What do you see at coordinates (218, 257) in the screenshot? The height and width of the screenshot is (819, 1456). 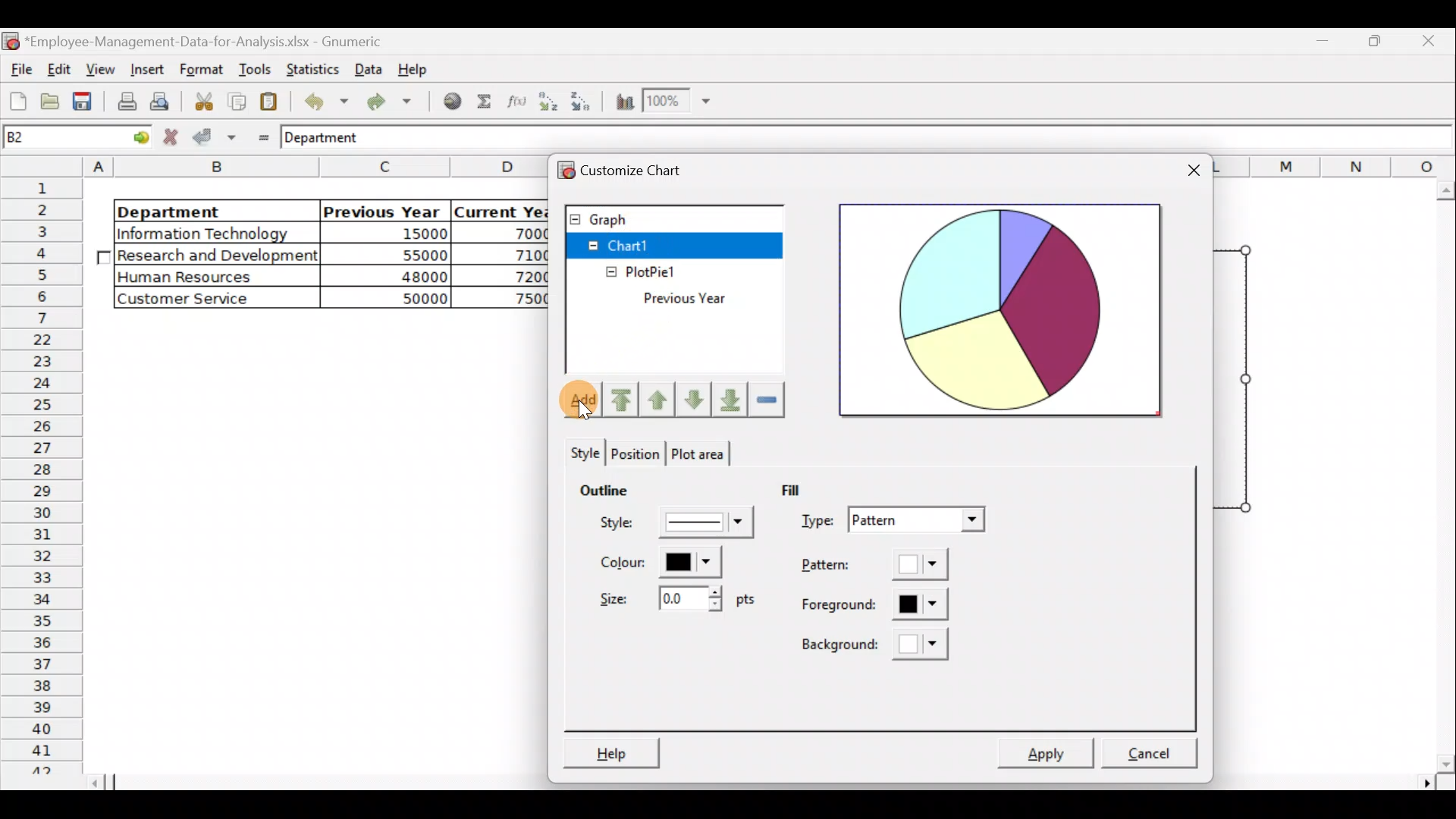 I see `Research and Development` at bounding box center [218, 257].